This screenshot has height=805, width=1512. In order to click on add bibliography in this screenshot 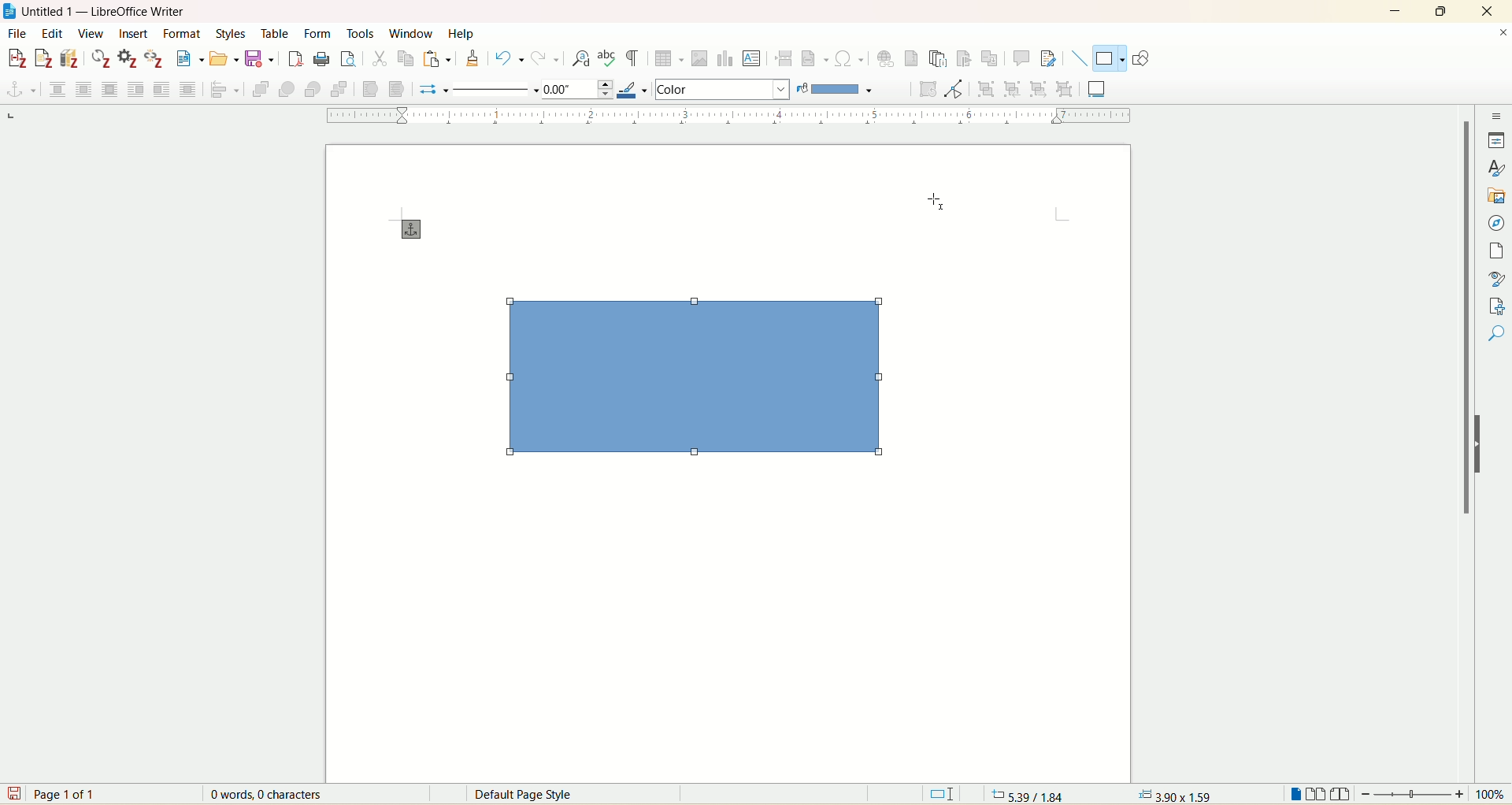, I will do `click(71, 58)`.